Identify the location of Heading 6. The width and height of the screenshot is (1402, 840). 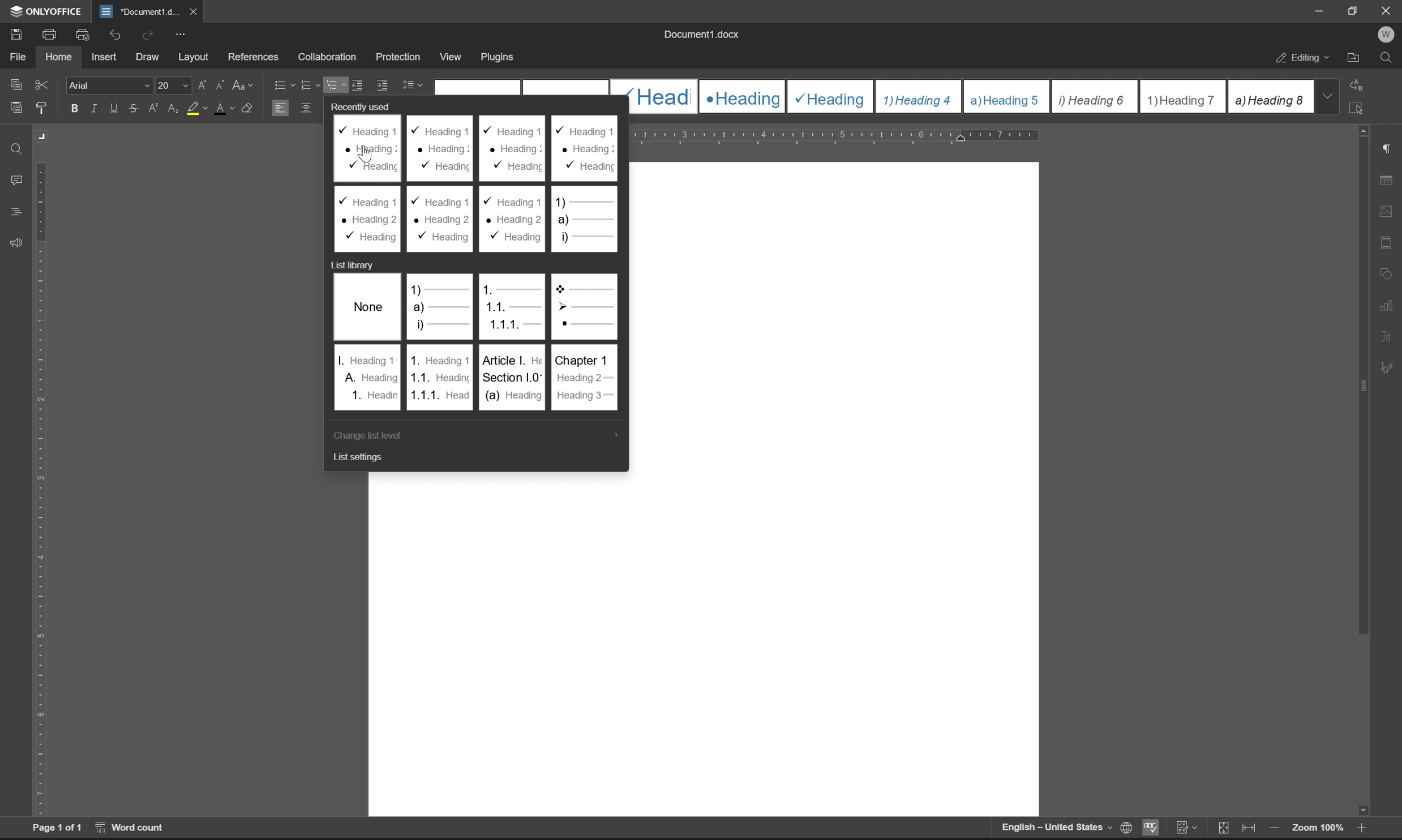
(1094, 97).